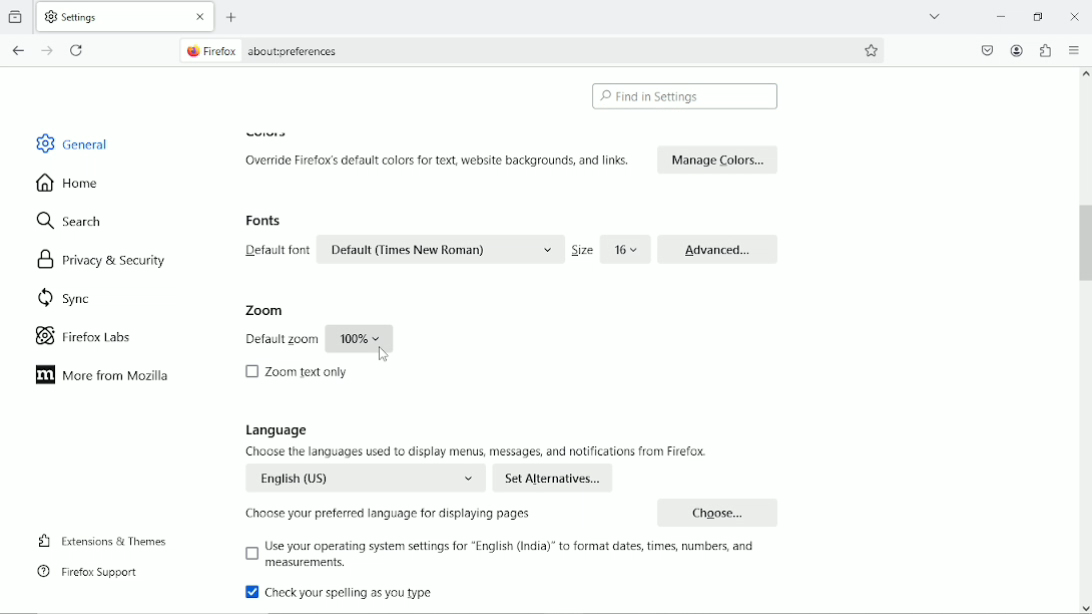 Image resolution: width=1092 pixels, height=614 pixels. I want to click on Sync, so click(66, 298).